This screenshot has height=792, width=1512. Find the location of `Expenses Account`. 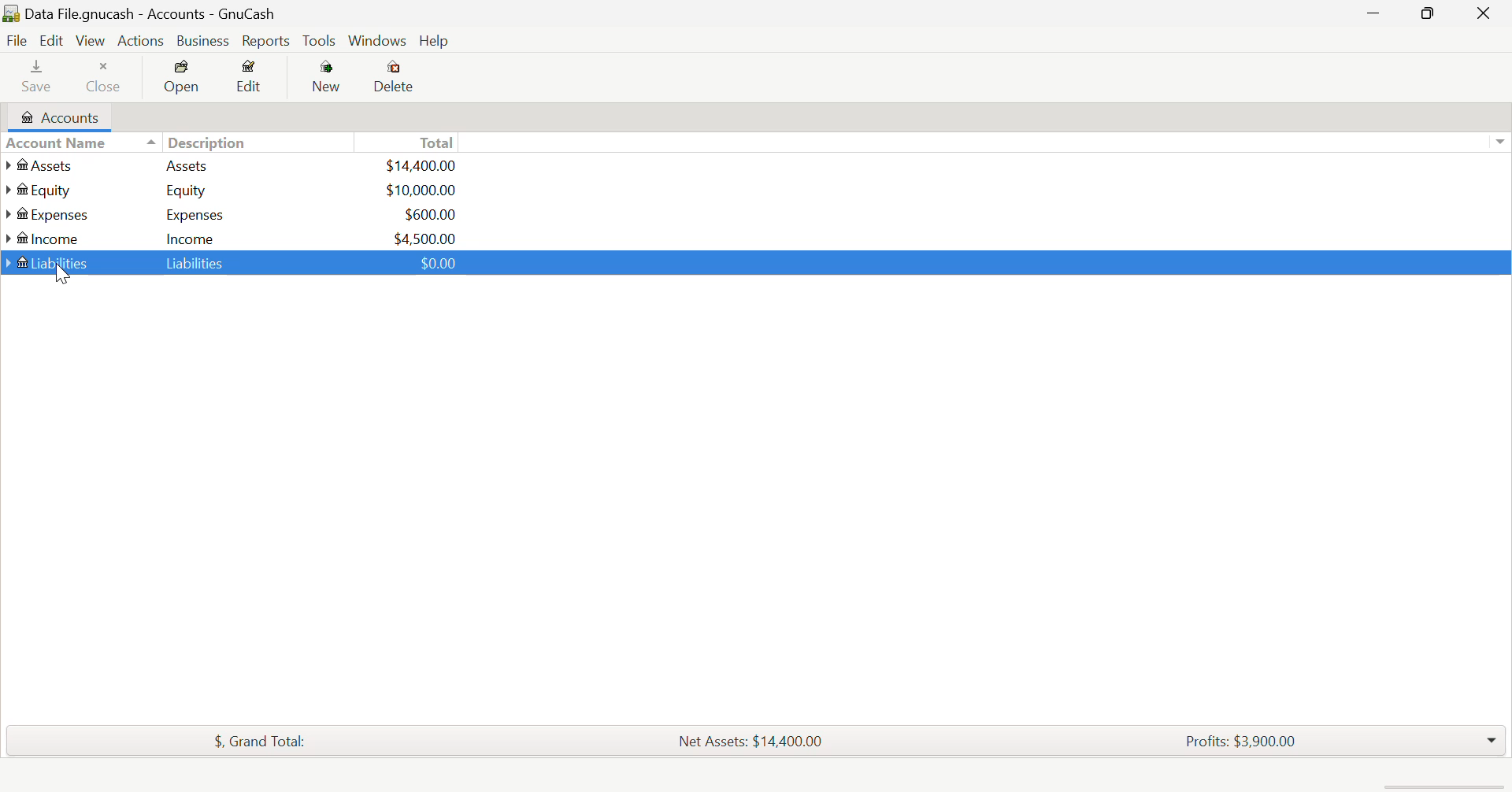

Expenses Account is located at coordinates (46, 214).